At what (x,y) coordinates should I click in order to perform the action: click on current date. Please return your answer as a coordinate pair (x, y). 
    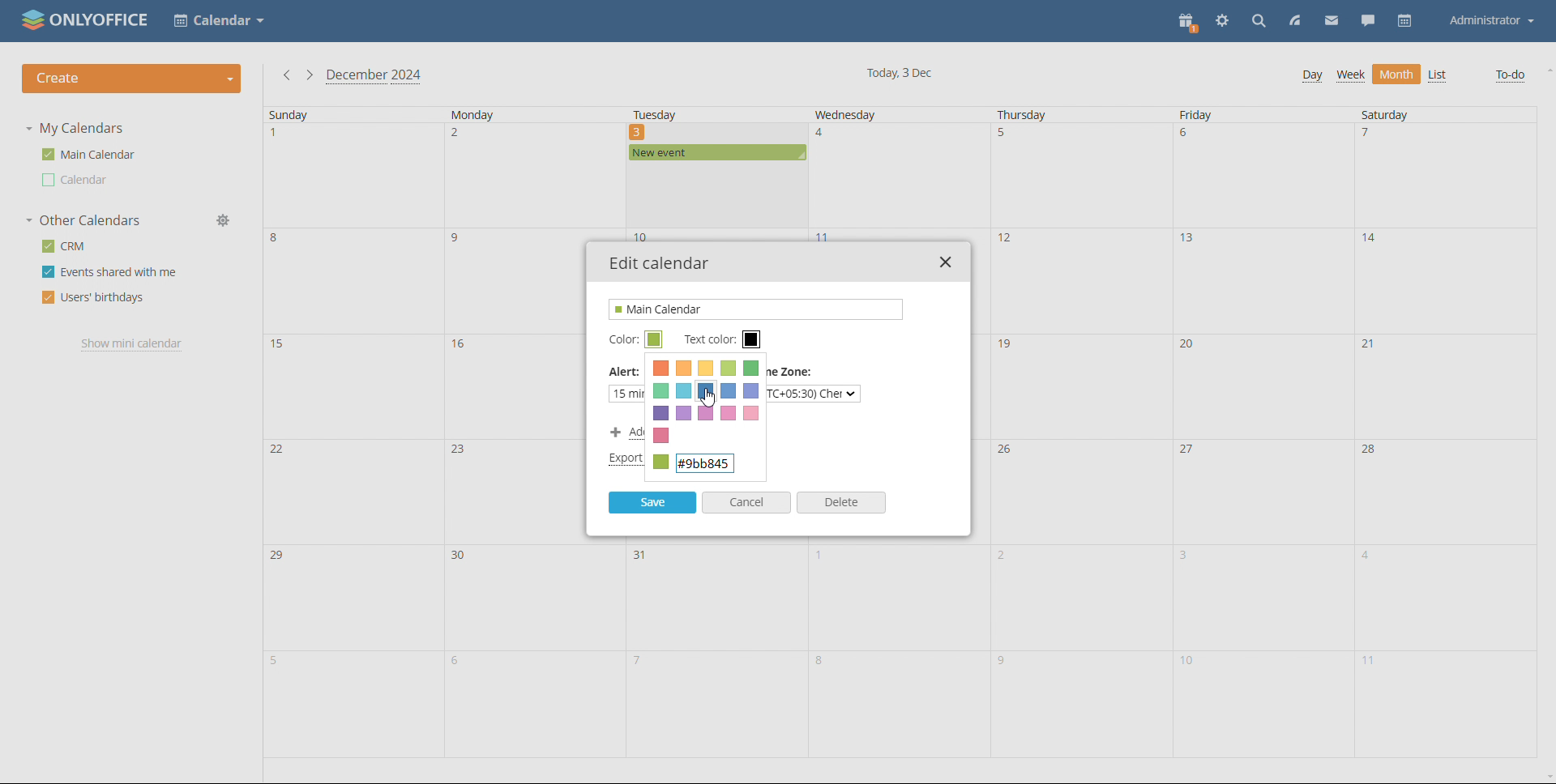
    Looking at the image, I should click on (901, 74).